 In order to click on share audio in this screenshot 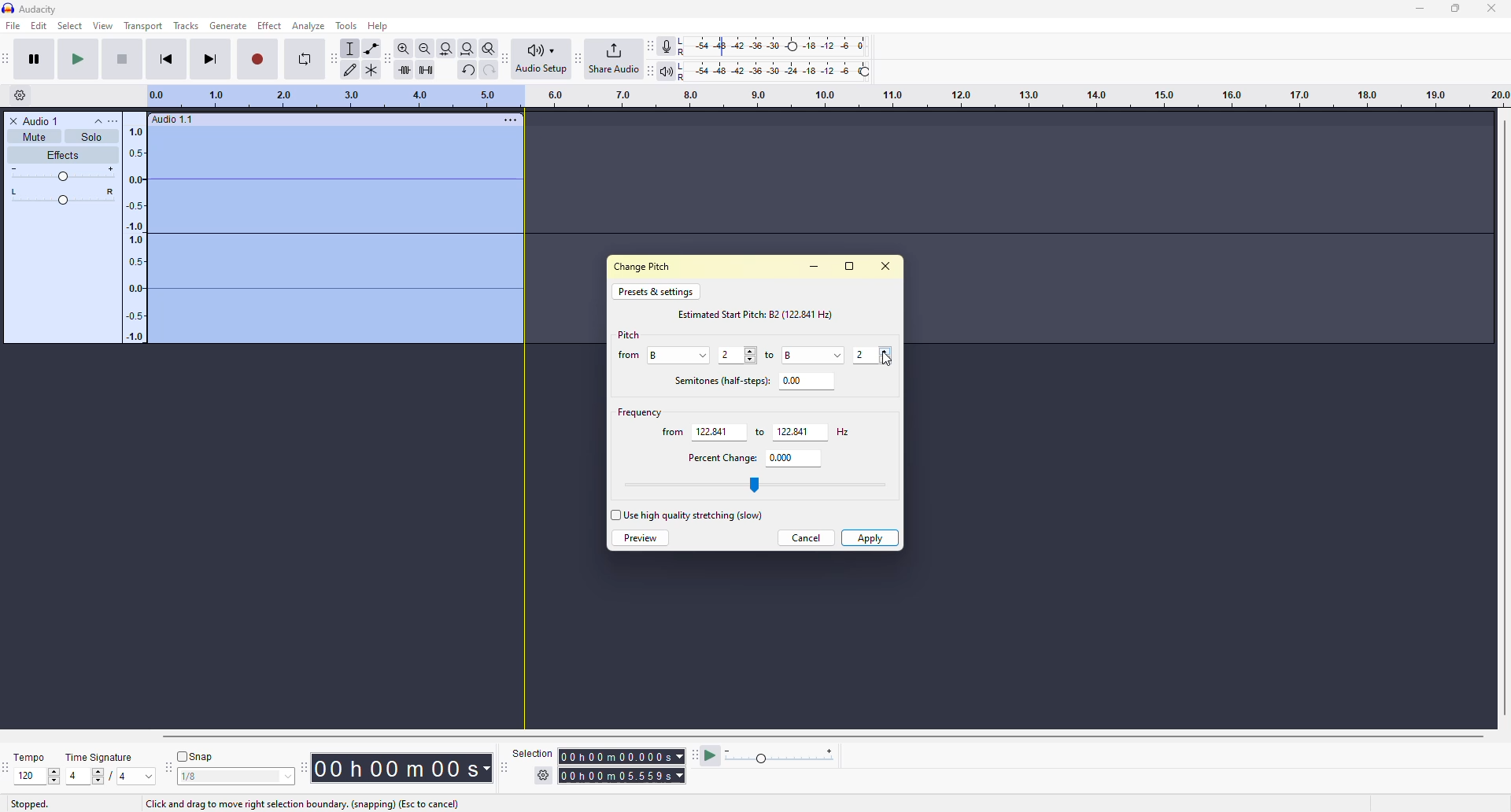, I will do `click(614, 58)`.